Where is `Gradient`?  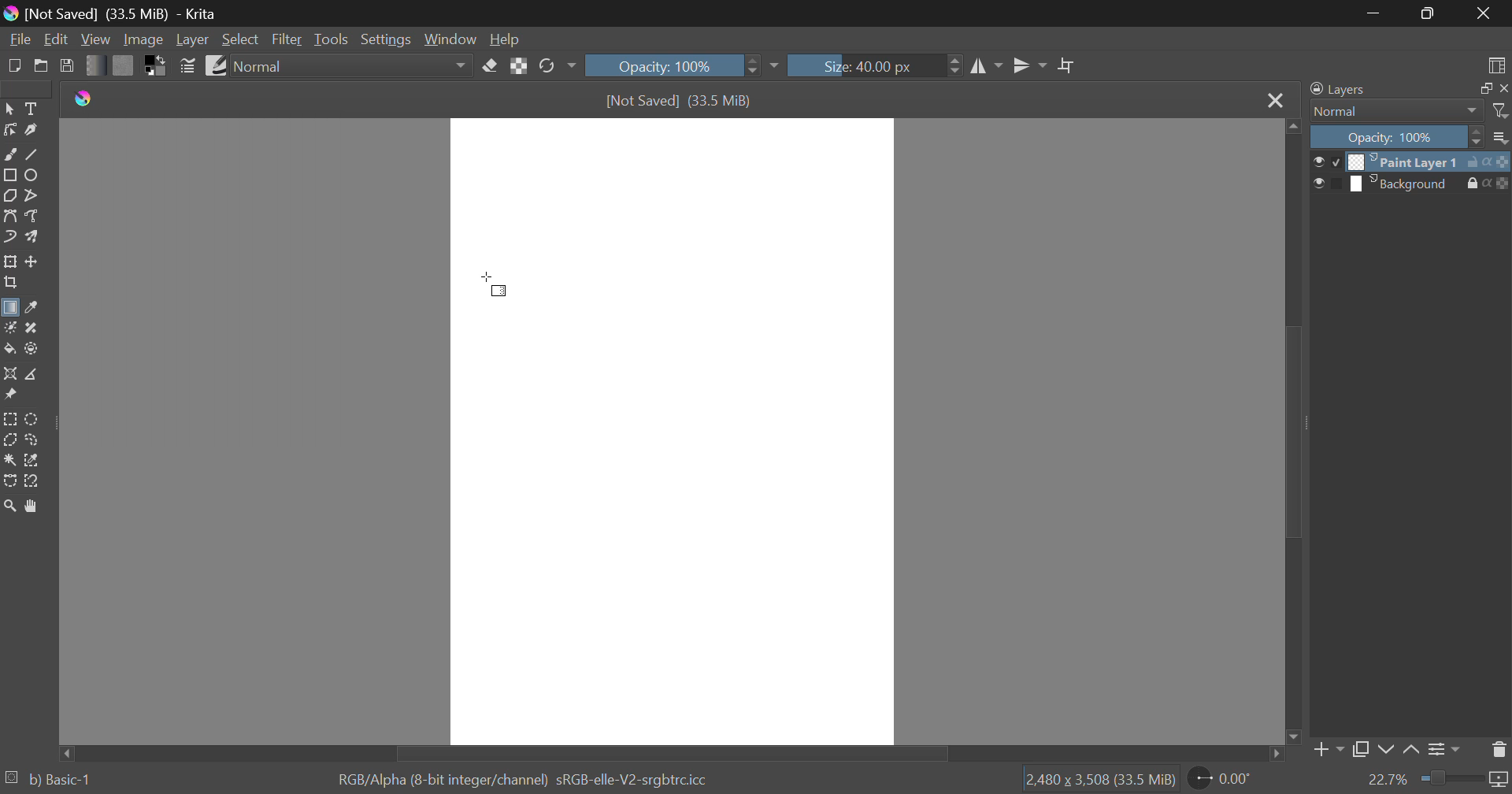
Gradient is located at coordinates (96, 65).